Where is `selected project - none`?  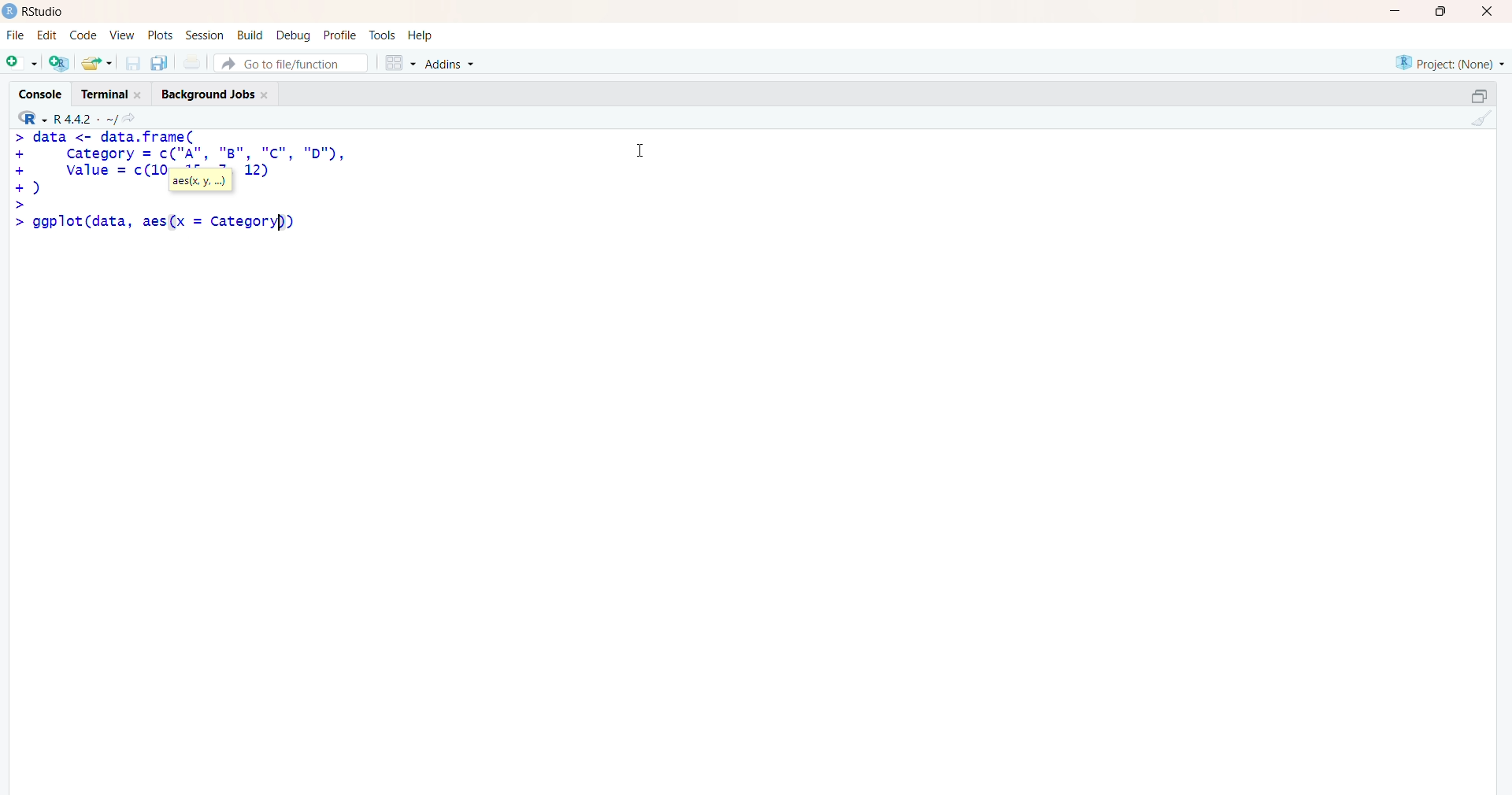
selected project - none is located at coordinates (1452, 62).